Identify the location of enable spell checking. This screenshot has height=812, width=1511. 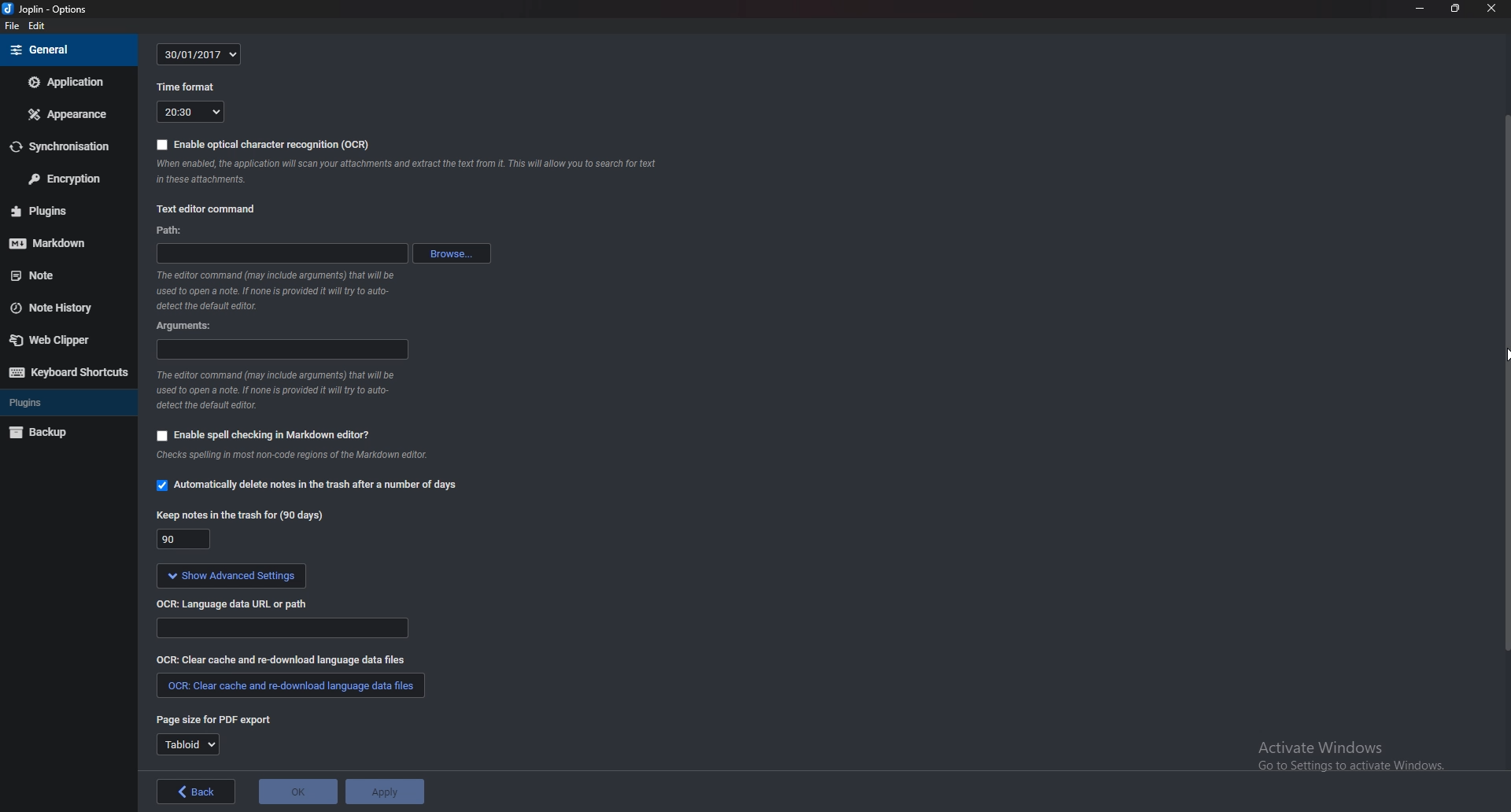
(282, 433).